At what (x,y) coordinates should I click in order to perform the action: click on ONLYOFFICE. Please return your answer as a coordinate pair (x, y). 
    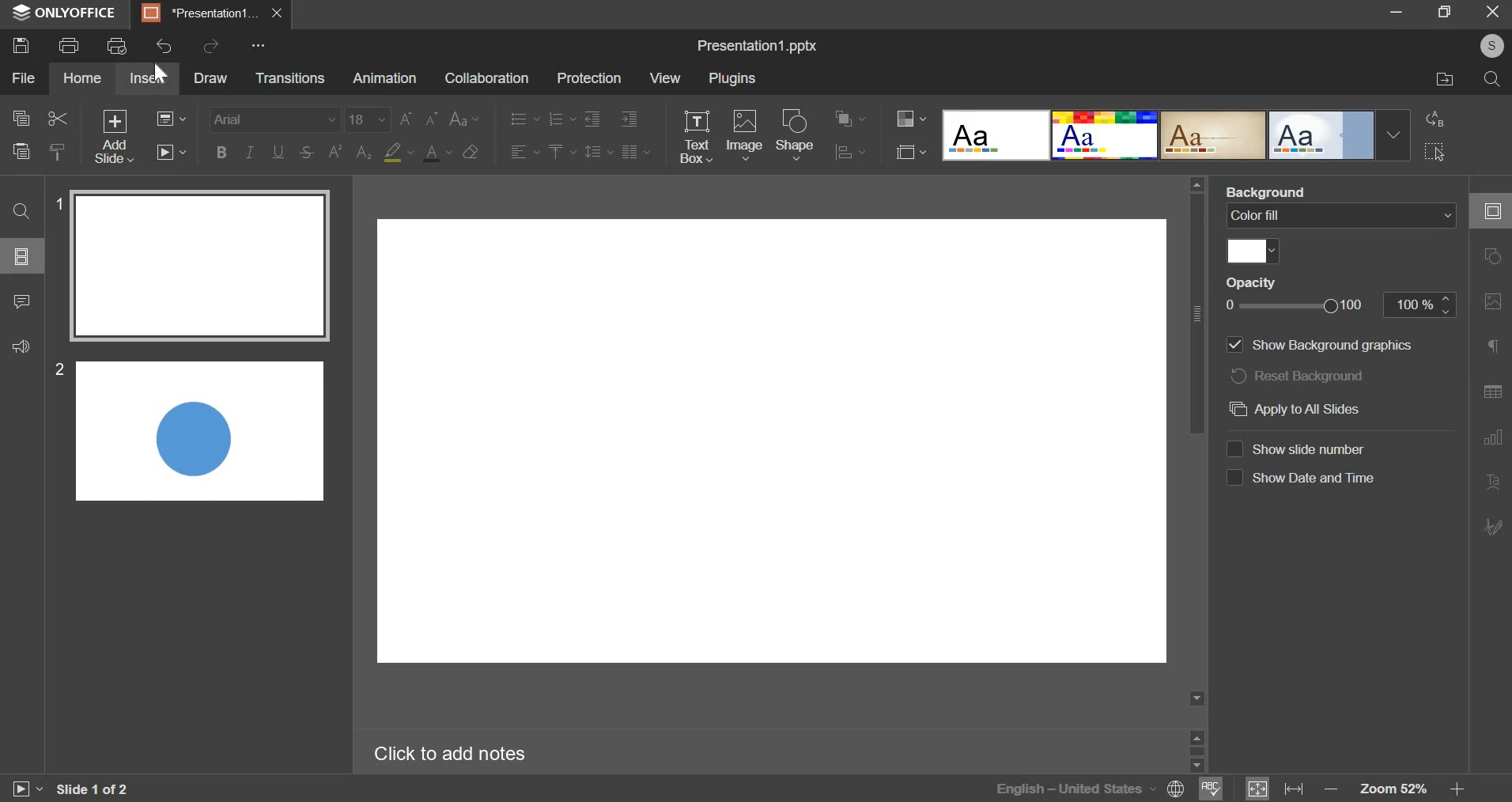
    Looking at the image, I should click on (62, 15).